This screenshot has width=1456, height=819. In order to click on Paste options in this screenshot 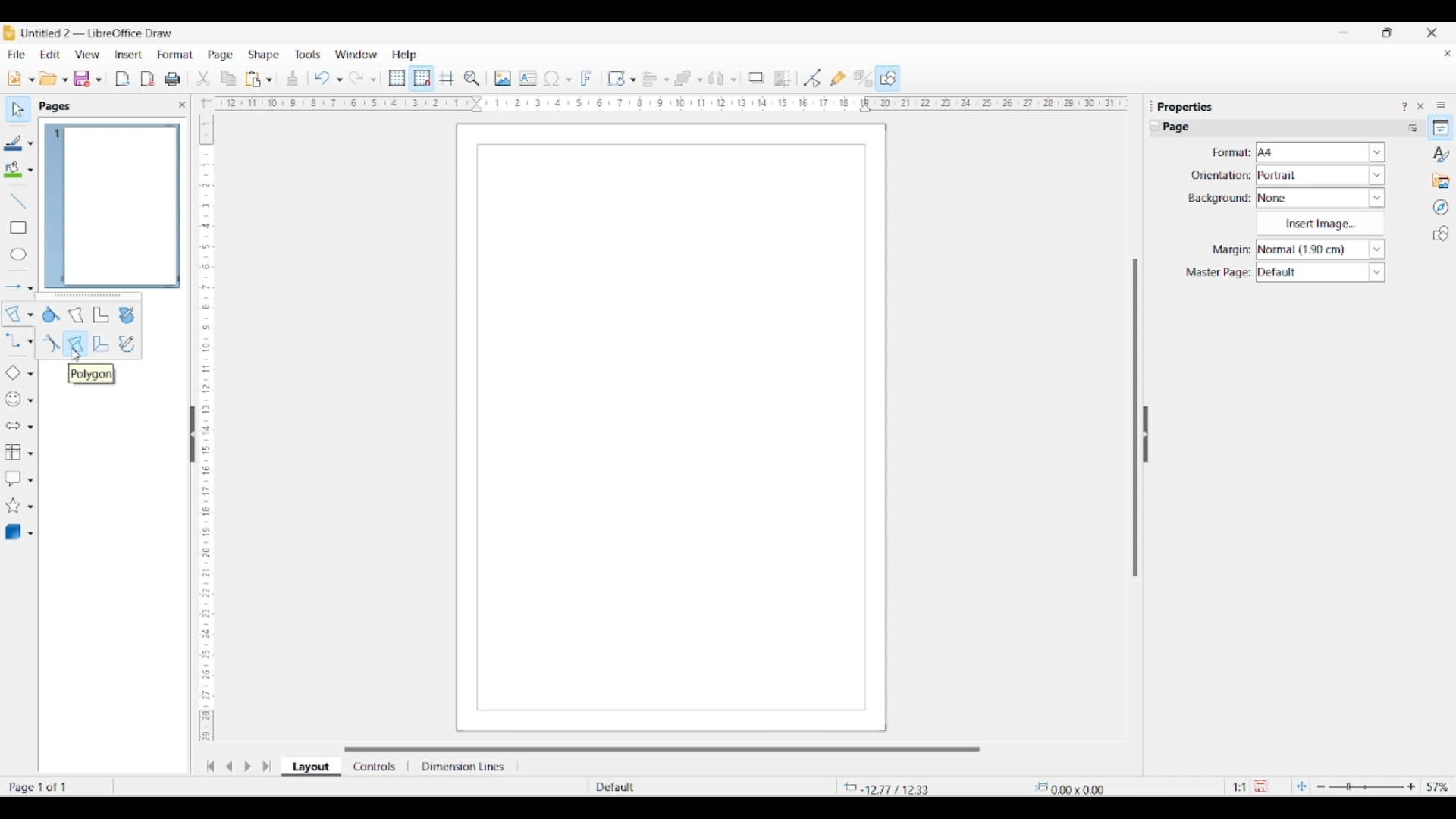, I will do `click(269, 80)`.